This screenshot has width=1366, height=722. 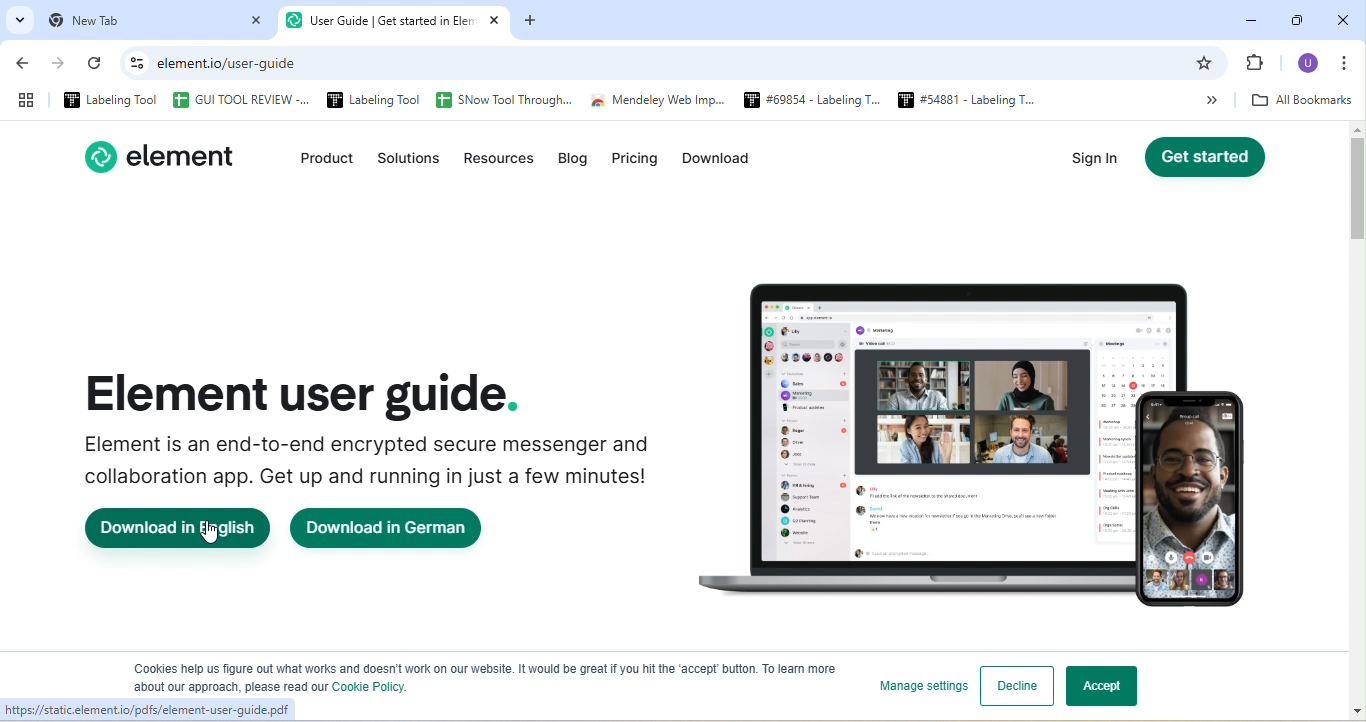 What do you see at coordinates (63, 64) in the screenshot?
I see `forward` at bounding box center [63, 64].